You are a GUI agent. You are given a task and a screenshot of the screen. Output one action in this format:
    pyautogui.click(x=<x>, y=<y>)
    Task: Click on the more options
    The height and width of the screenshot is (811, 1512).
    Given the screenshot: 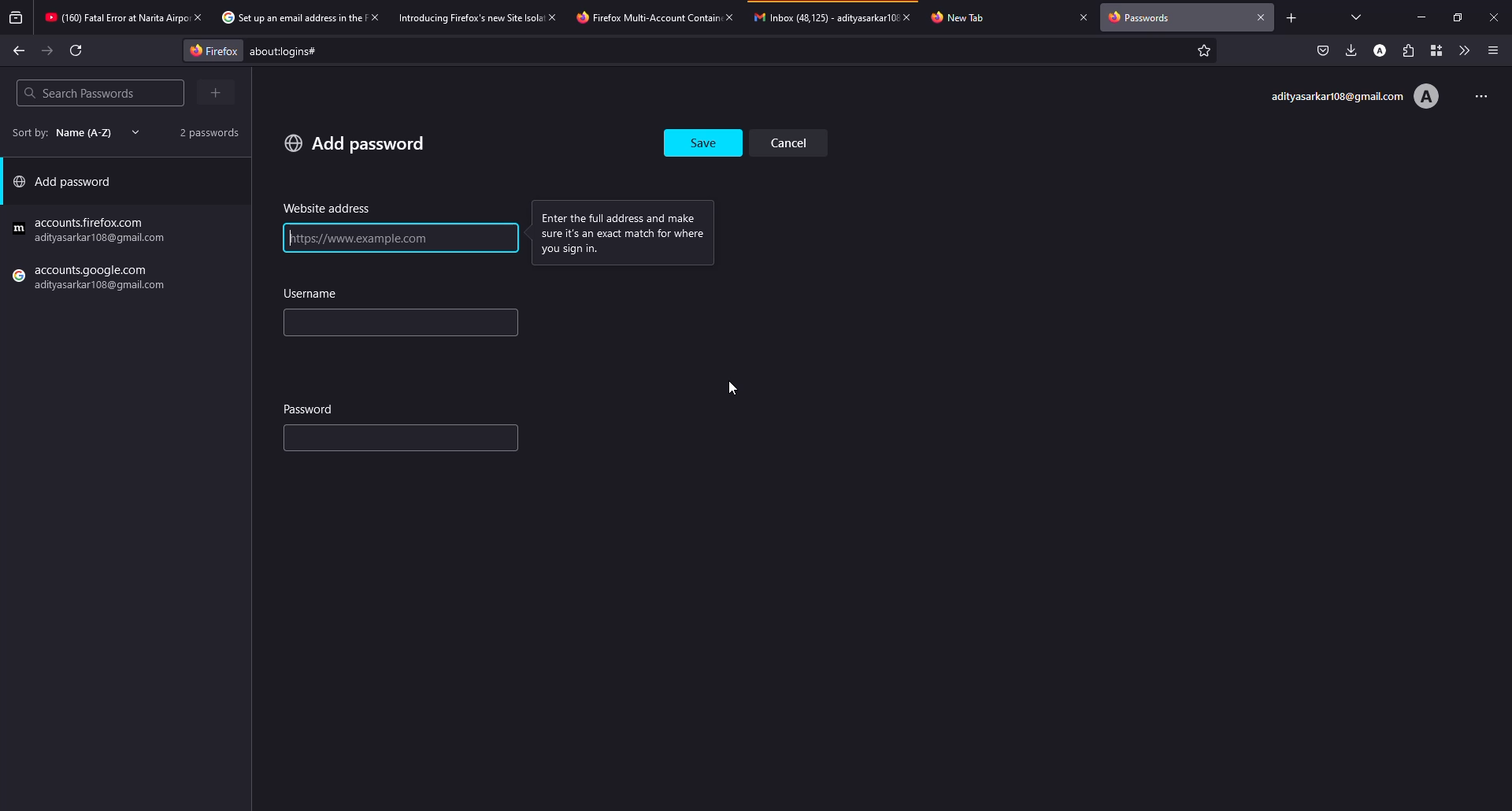 What is the action you would take?
    pyautogui.click(x=1476, y=94)
    